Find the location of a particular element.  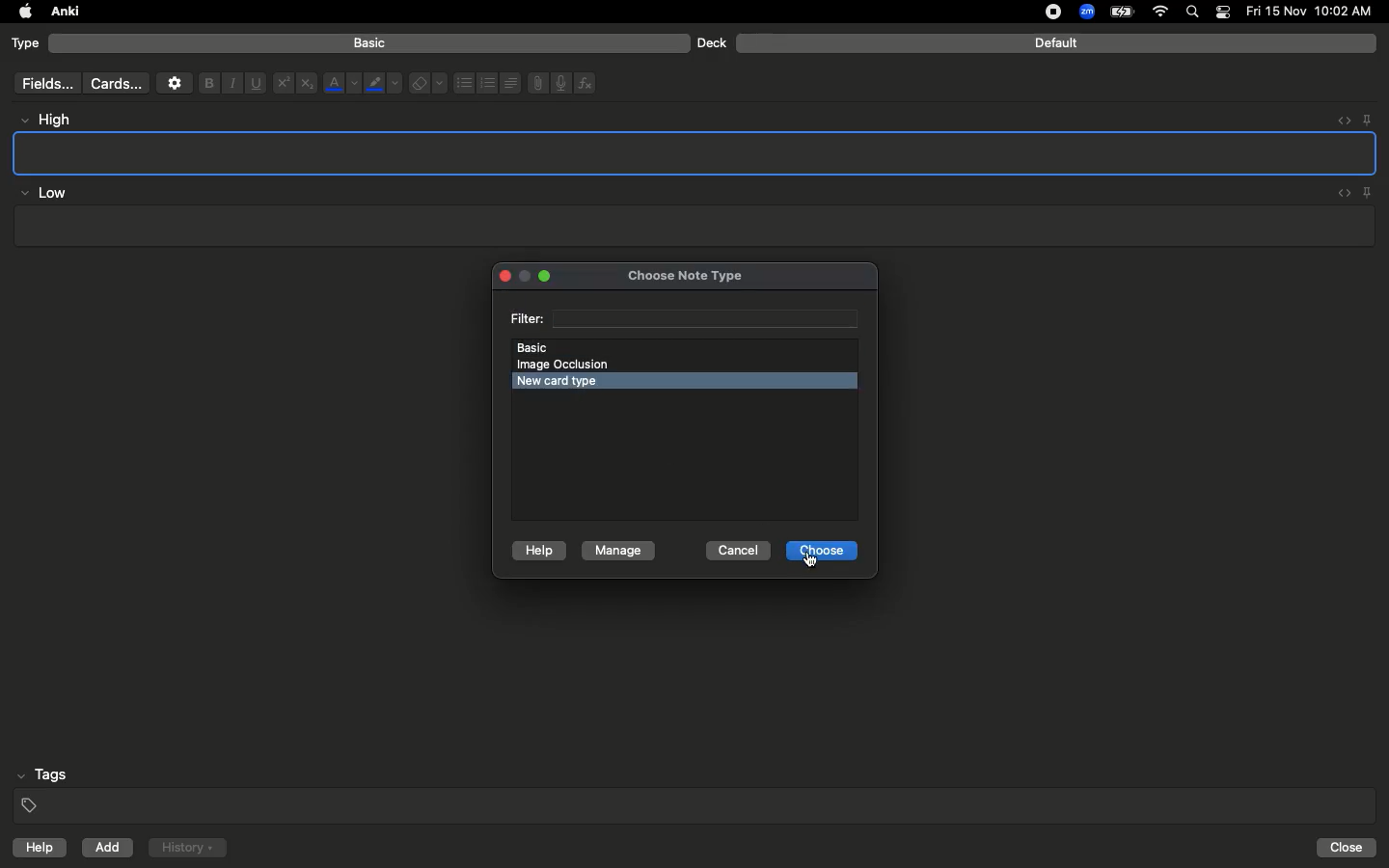

Type is located at coordinates (26, 44).